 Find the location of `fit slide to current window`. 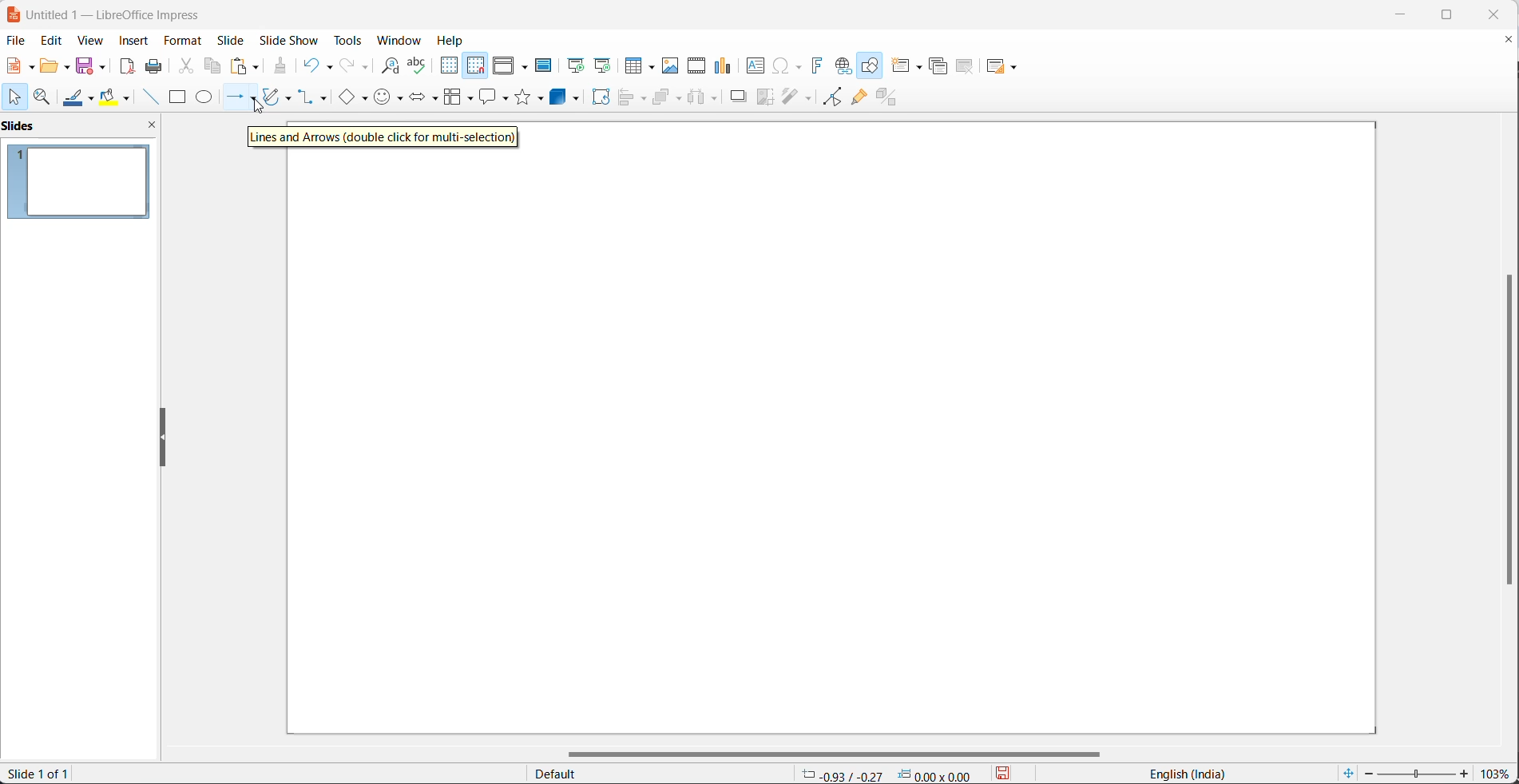

fit slide to current window is located at coordinates (1346, 774).